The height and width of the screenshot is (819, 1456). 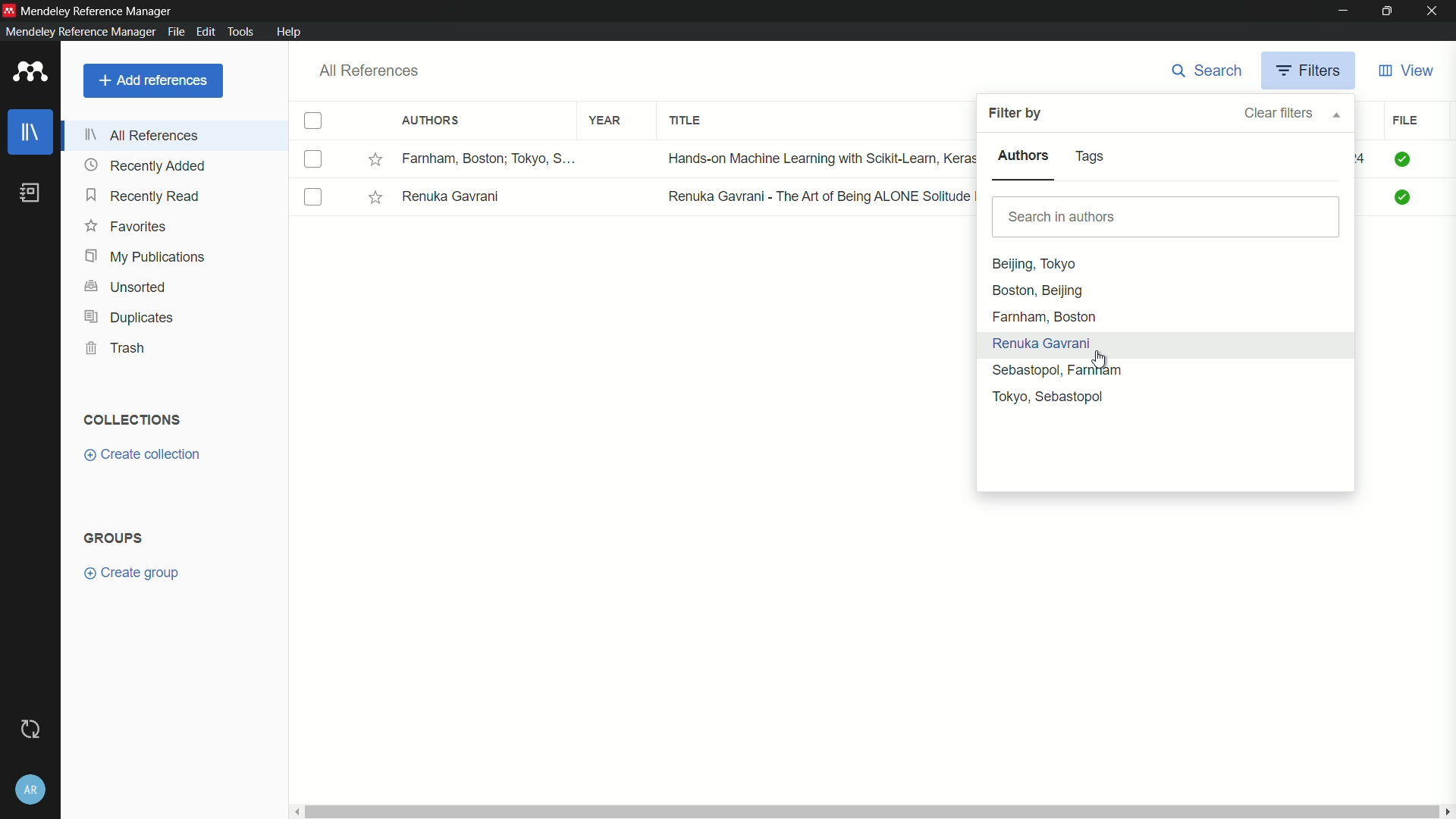 What do you see at coordinates (176, 32) in the screenshot?
I see `file menu` at bounding box center [176, 32].